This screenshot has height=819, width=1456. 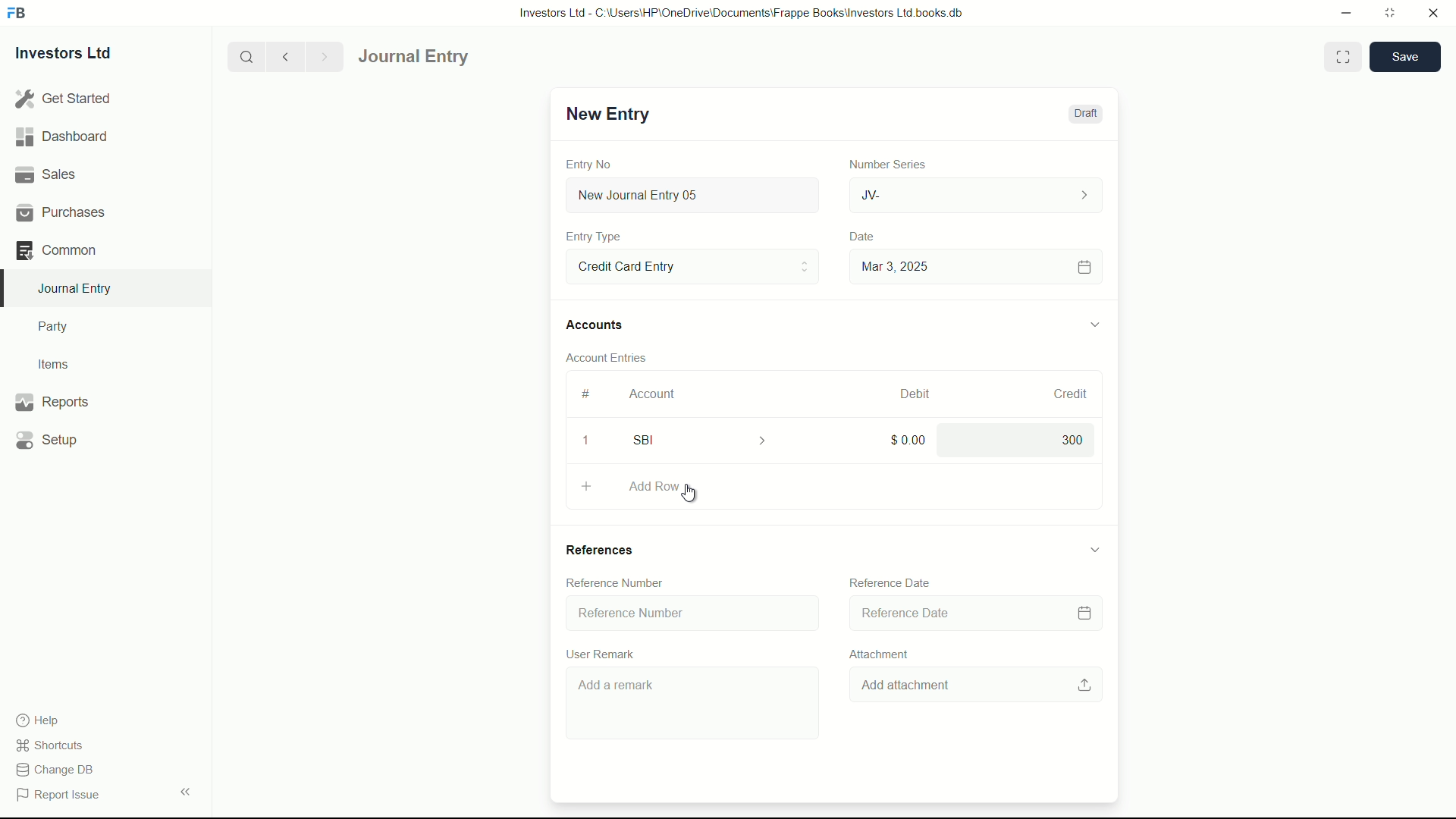 I want to click on 1, so click(x=585, y=443).